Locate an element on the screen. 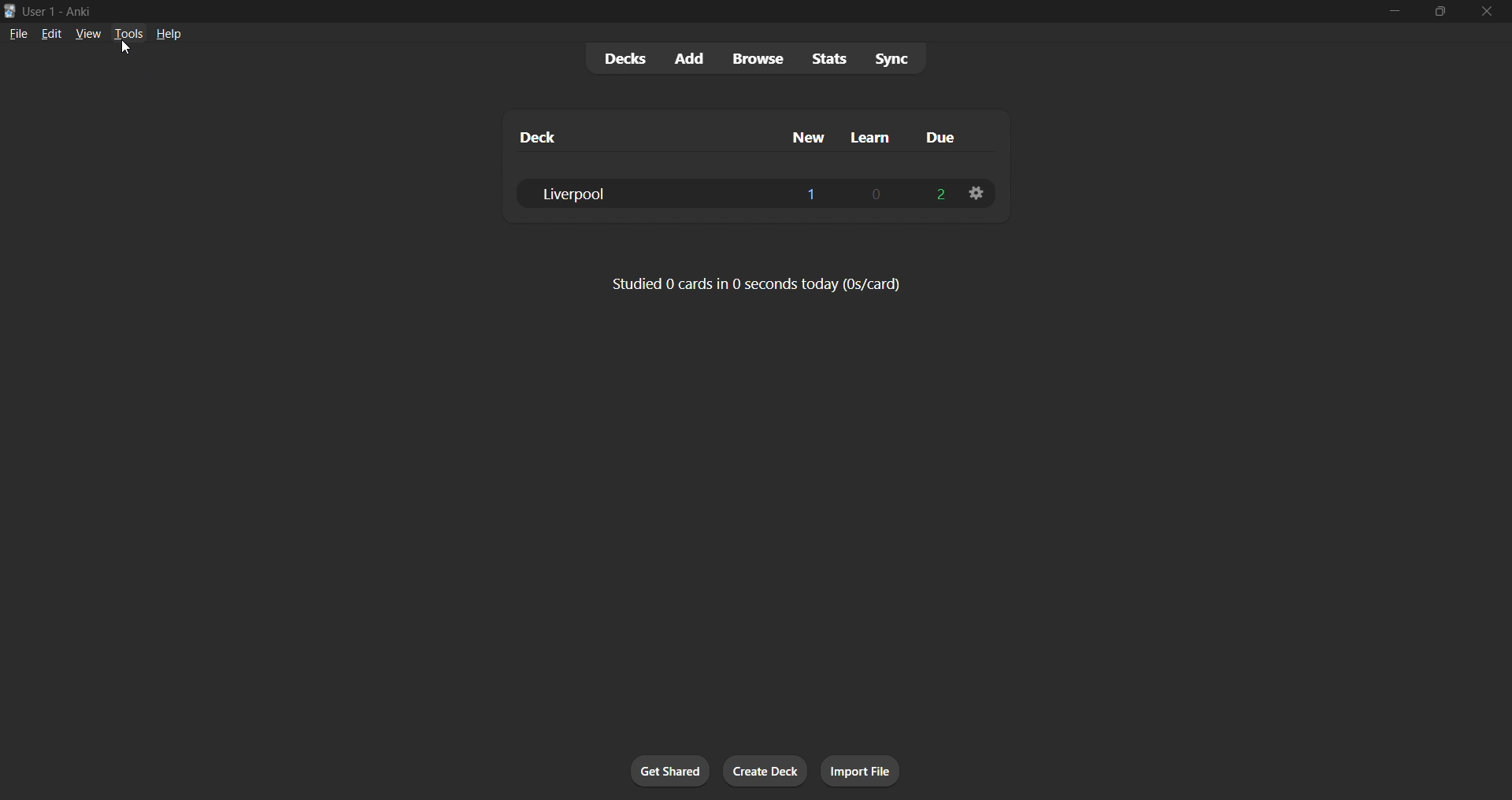  sync is located at coordinates (895, 58).